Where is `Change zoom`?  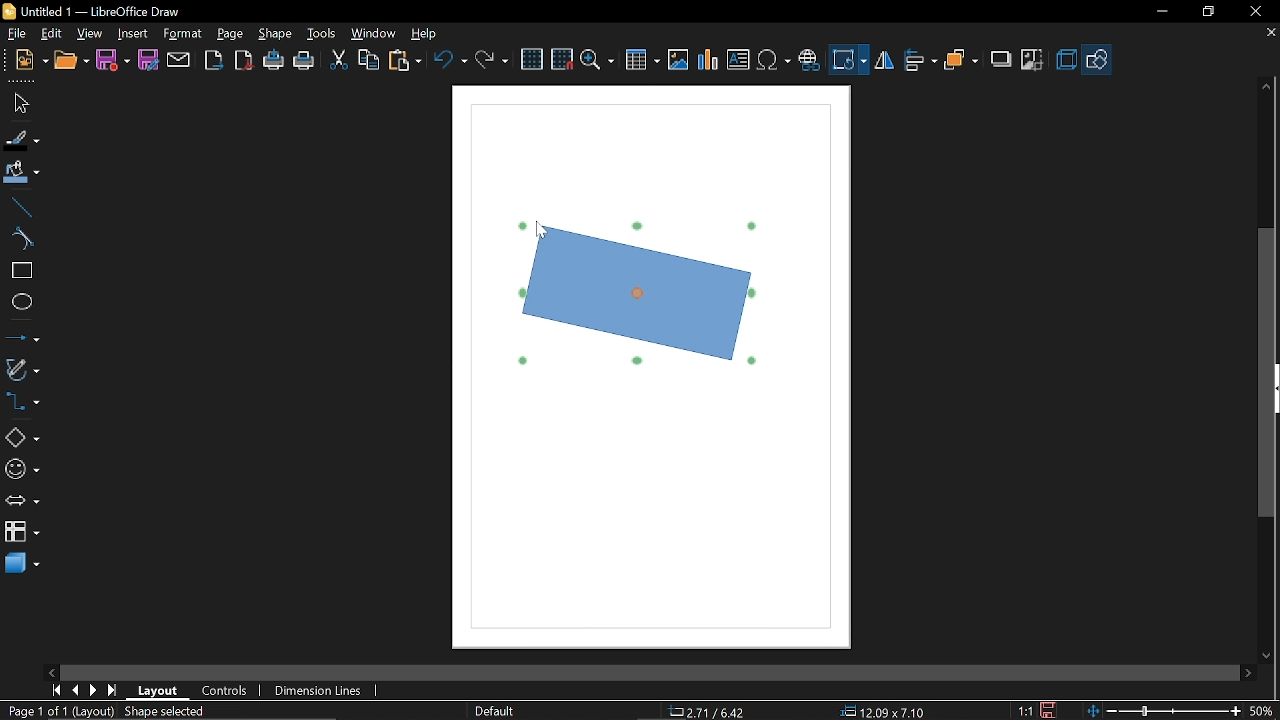
Change zoom is located at coordinates (1161, 710).